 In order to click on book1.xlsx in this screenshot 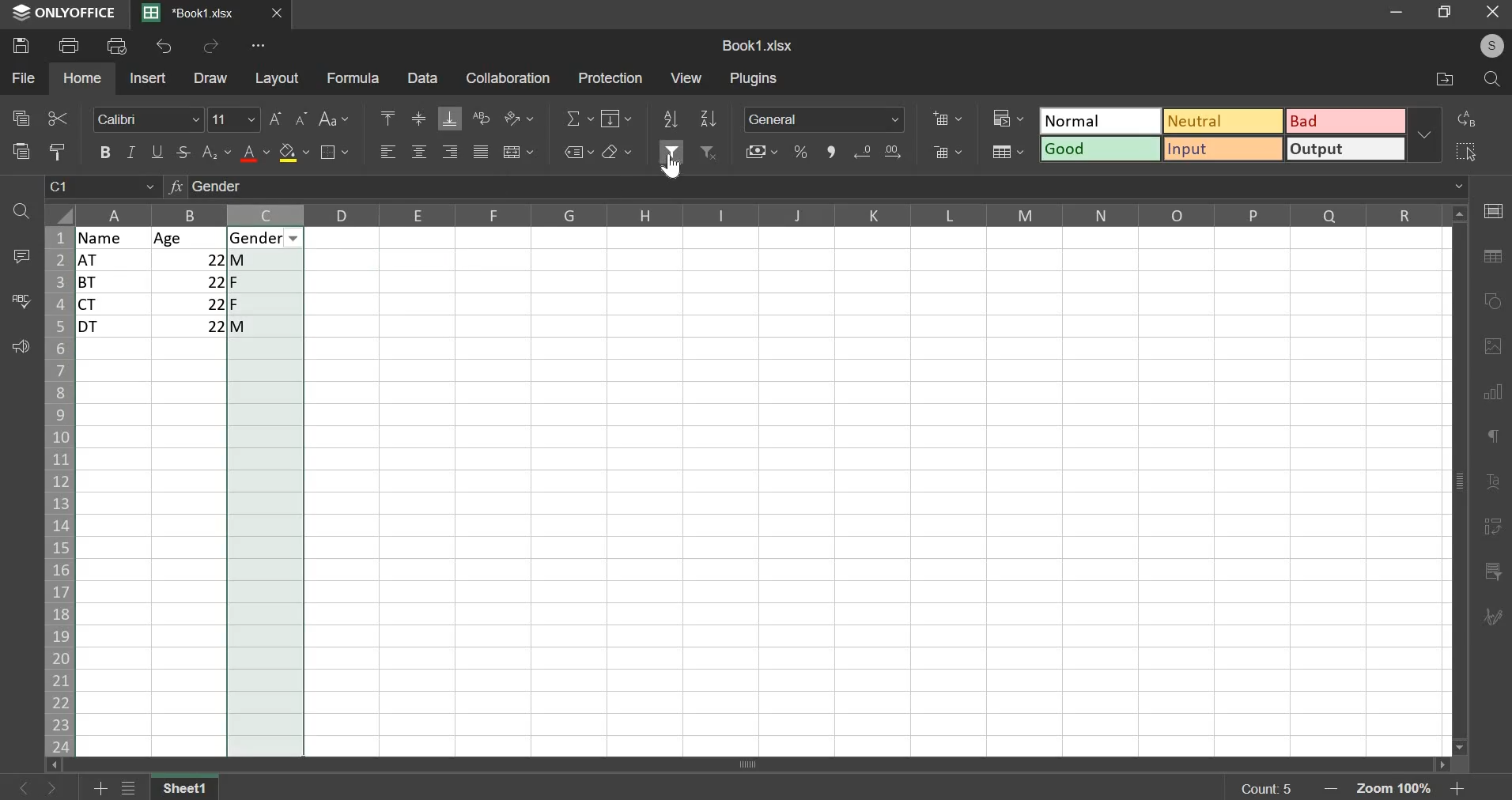, I will do `click(758, 45)`.